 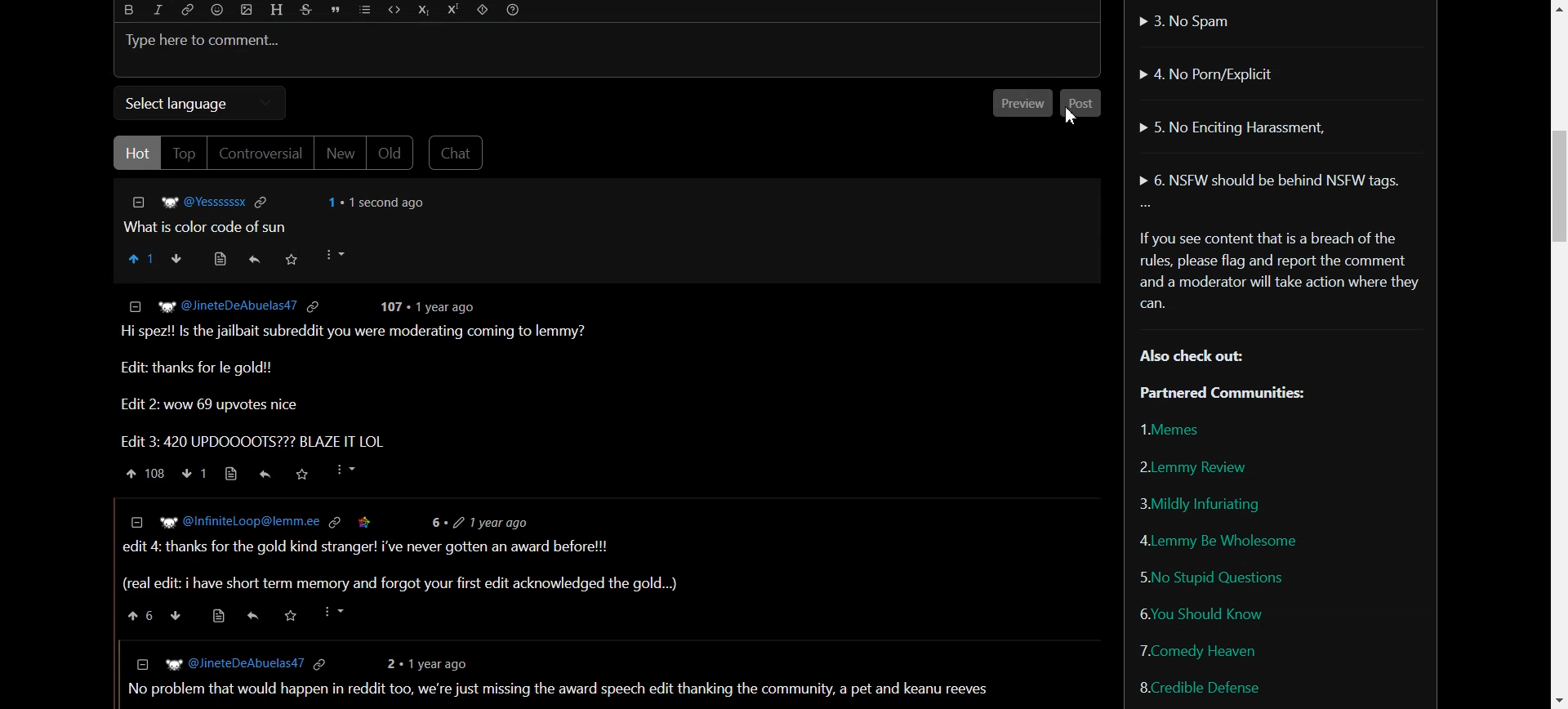 What do you see at coordinates (1199, 504) in the screenshot?
I see `Mildly Infuriating` at bounding box center [1199, 504].